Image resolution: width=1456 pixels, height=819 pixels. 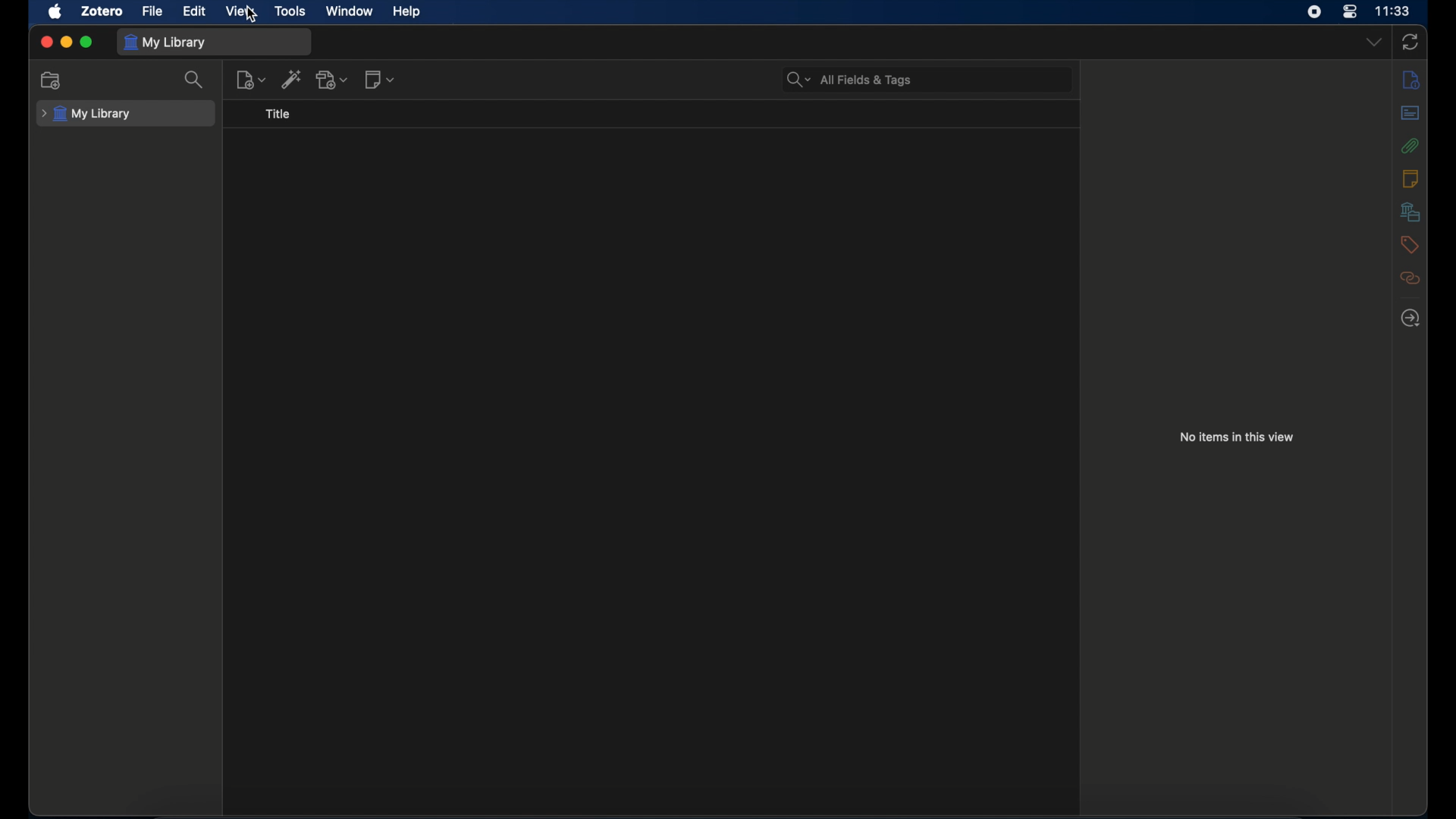 What do you see at coordinates (1410, 245) in the screenshot?
I see `tags` at bounding box center [1410, 245].